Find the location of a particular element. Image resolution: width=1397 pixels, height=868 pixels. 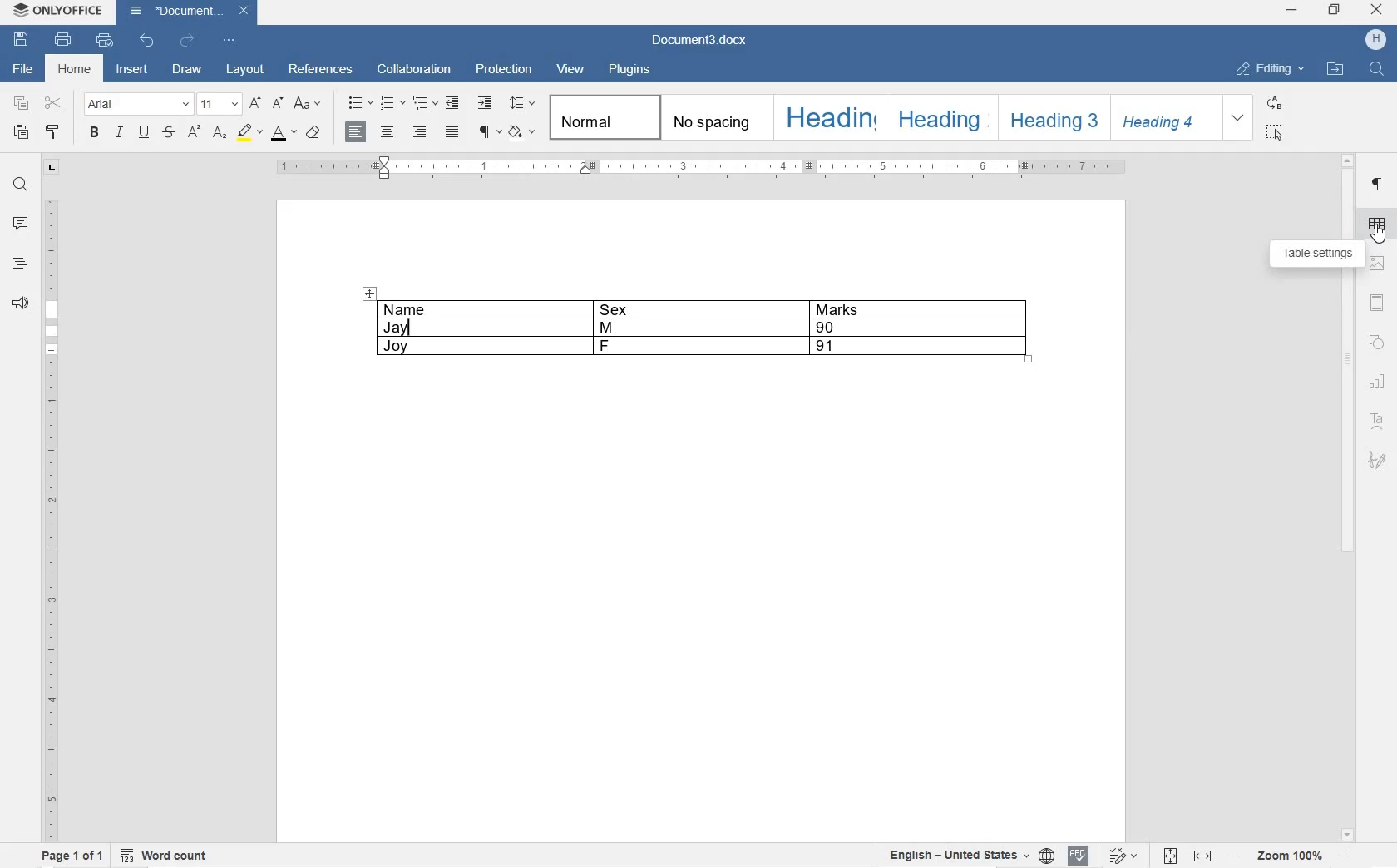

STRIKETHROUGH is located at coordinates (168, 134).